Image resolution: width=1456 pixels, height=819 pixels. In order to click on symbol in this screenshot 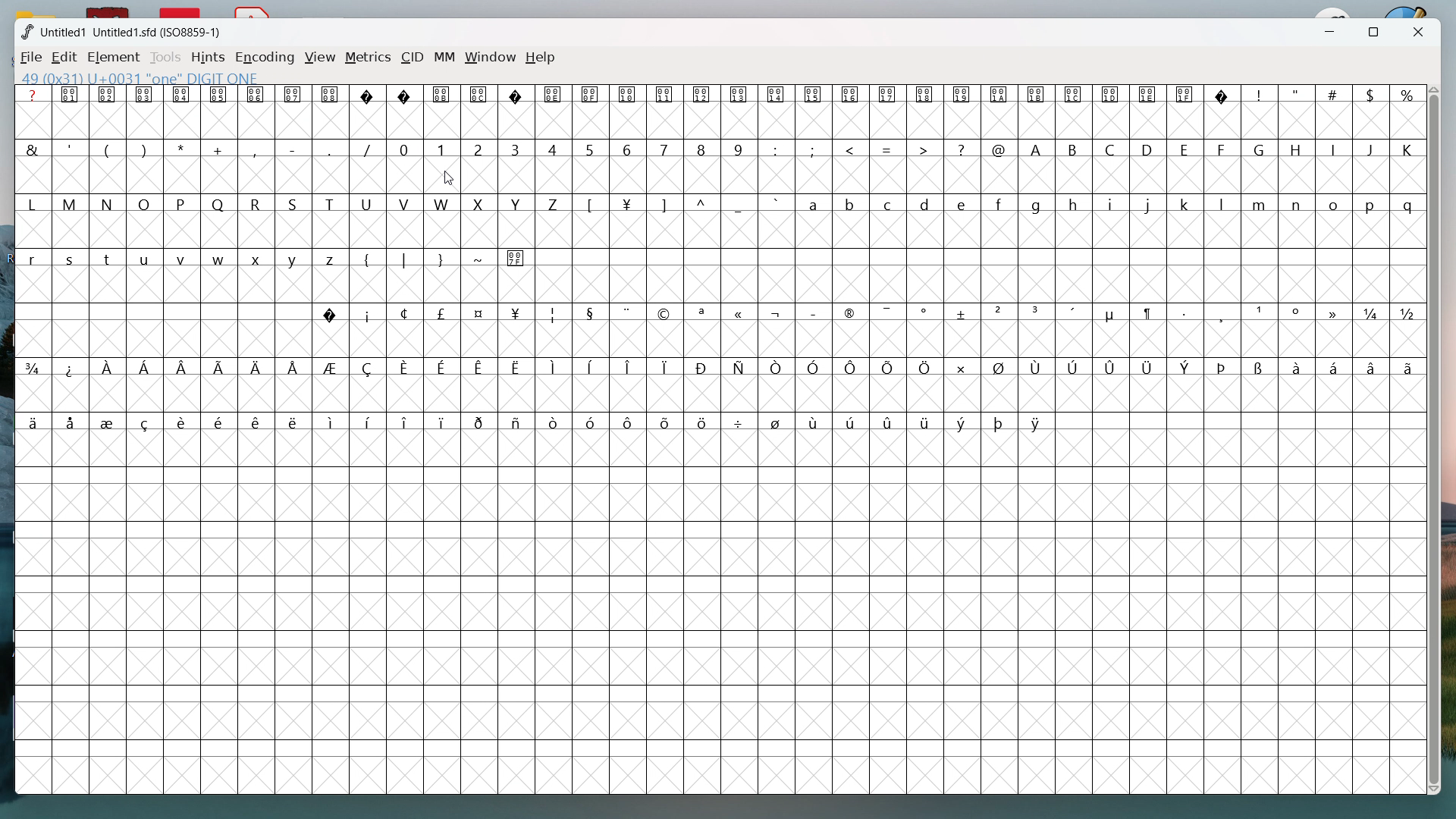, I will do `click(926, 367)`.